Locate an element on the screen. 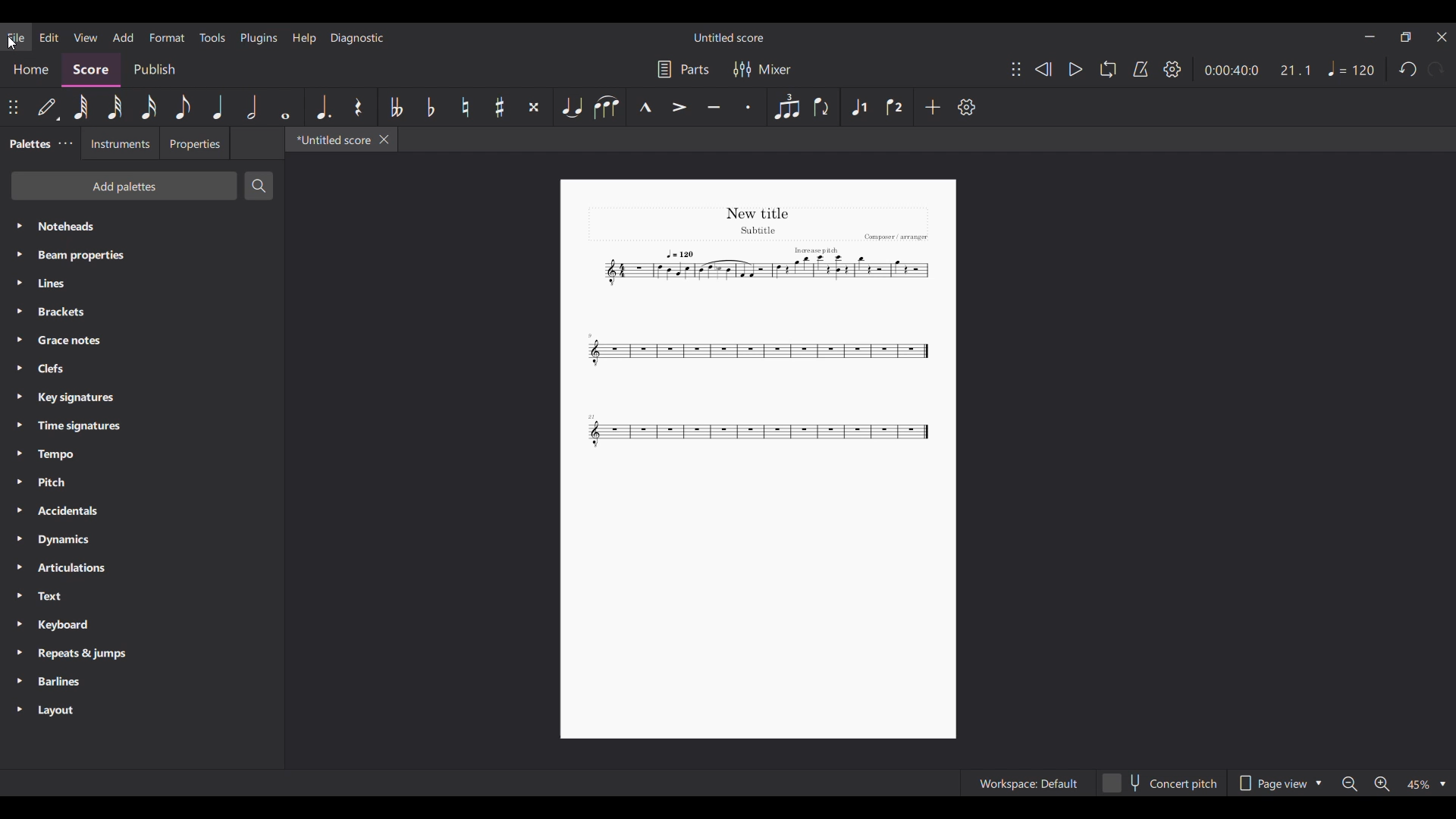 This screenshot has height=819, width=1456. File menu is located at coordinates (16, 37).